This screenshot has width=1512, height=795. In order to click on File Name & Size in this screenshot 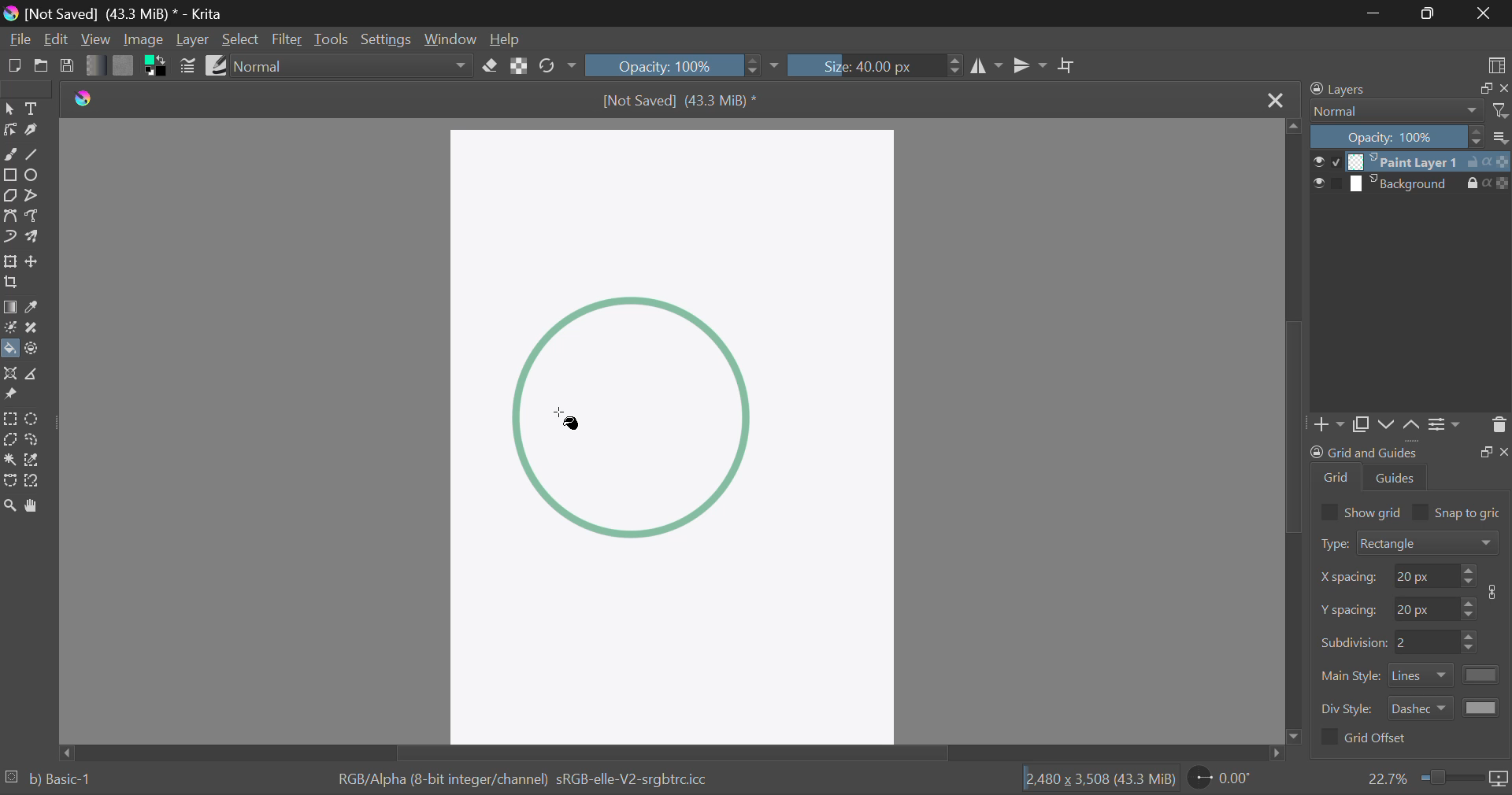, I will do `click(684, 102)`.